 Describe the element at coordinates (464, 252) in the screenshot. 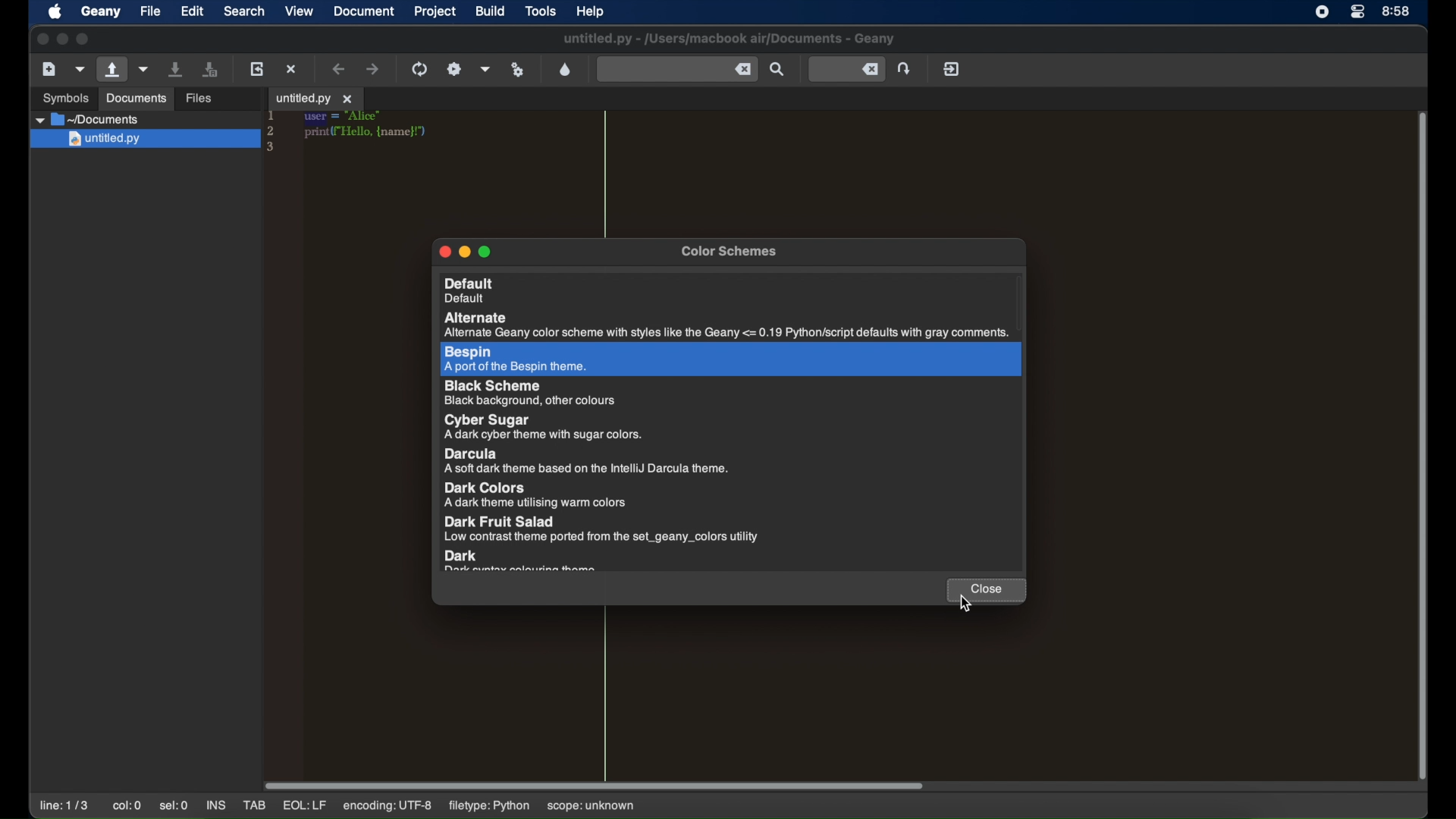

I see `minimize` at that location.